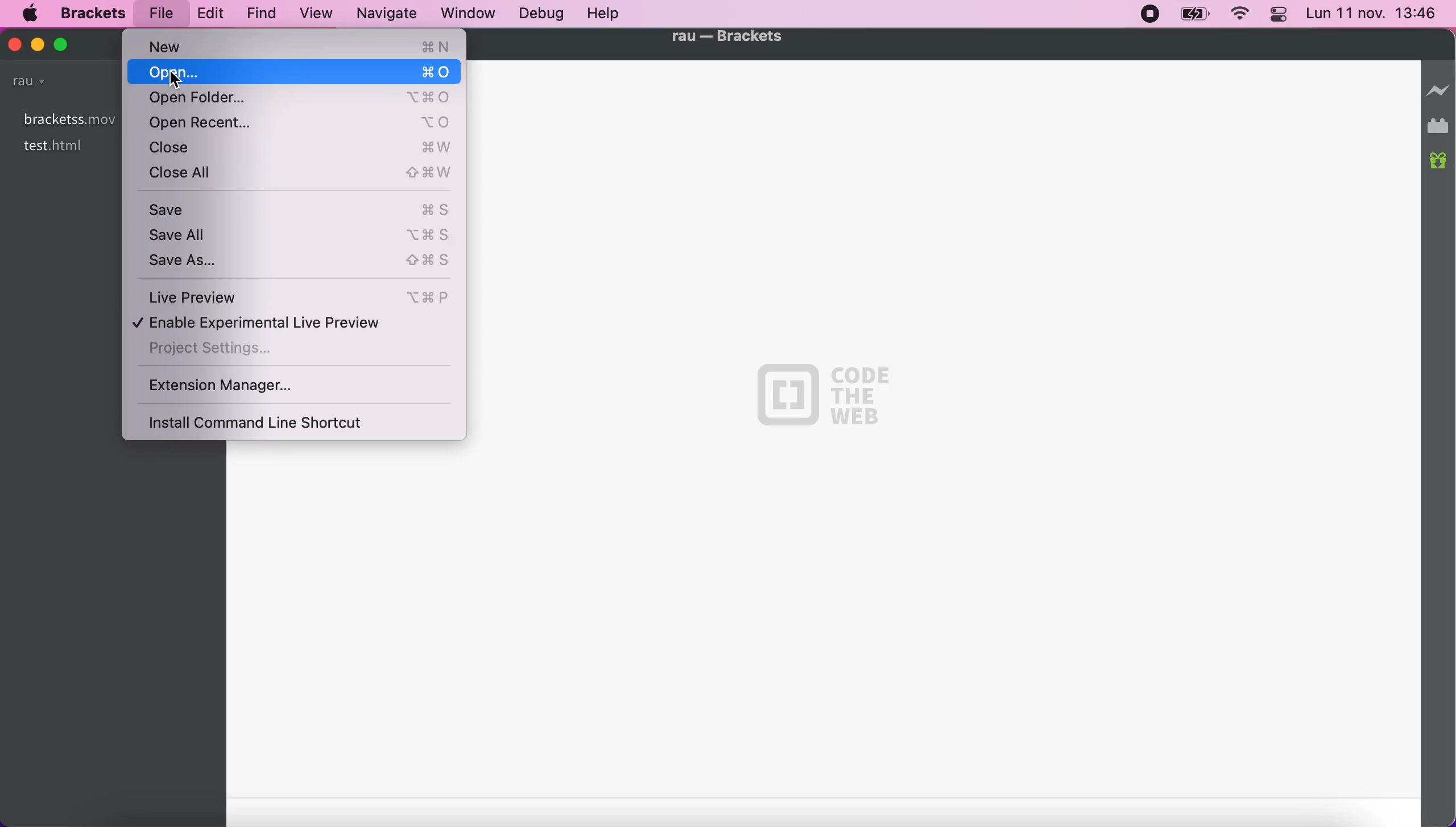 The image size is (1456, 827). Describe the element at coordinates (1440, 166) in the screenshot. I see `new builds of brackets` at that location.